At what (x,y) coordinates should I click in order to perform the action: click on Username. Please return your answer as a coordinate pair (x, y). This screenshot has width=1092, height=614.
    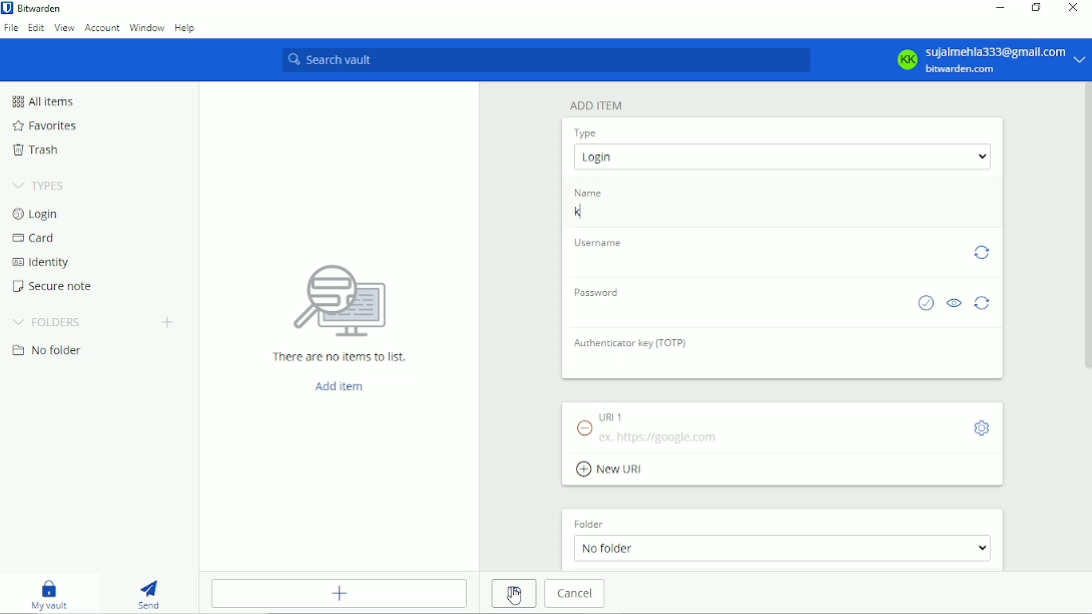
    Looking at the image, I should click on (597, 242).